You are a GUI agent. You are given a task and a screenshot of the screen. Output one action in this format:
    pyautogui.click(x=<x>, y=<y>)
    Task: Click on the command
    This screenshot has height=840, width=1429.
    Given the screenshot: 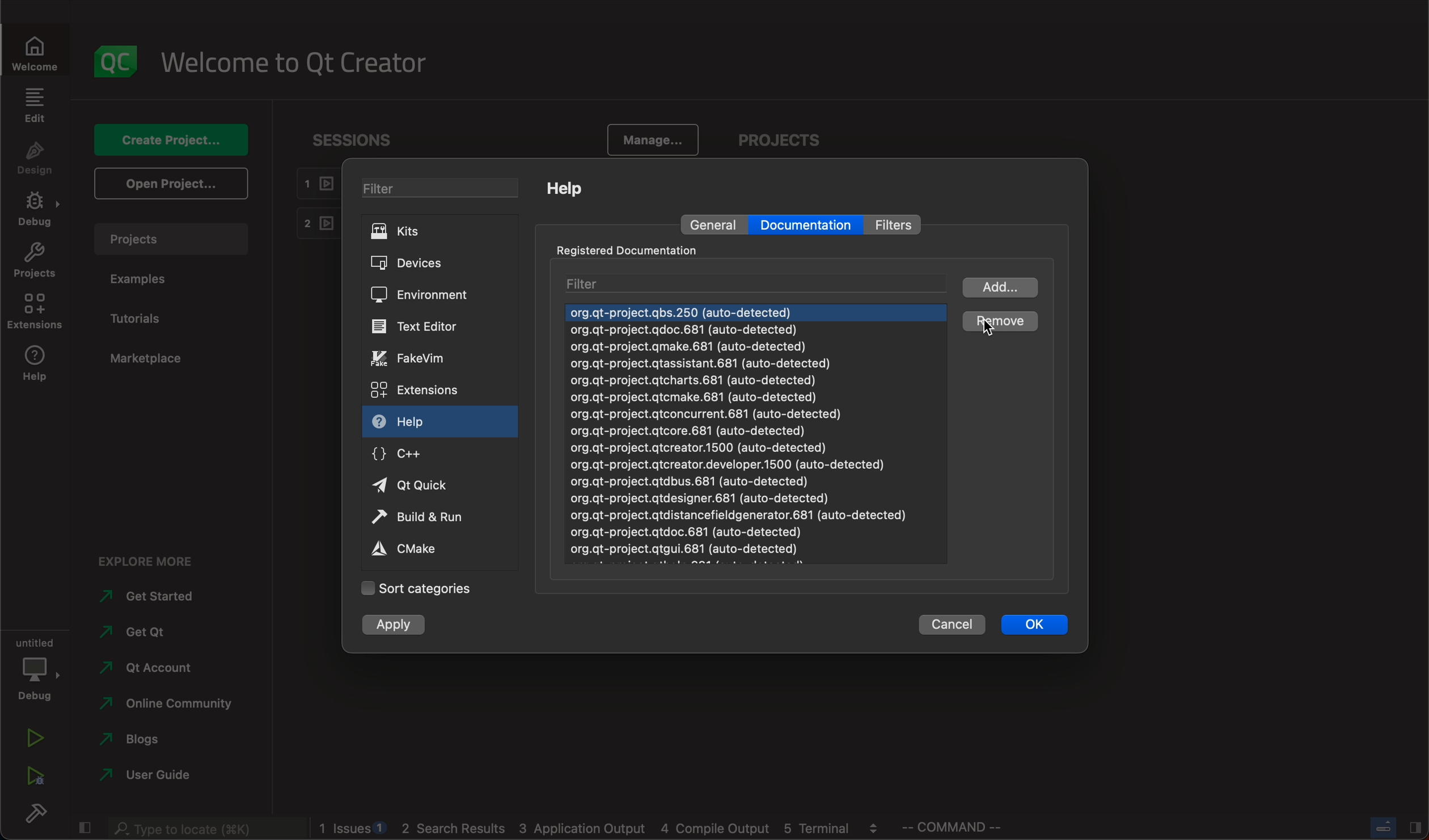 What is the action you would take?
    pyautogui.click(x=969, y=828)
    